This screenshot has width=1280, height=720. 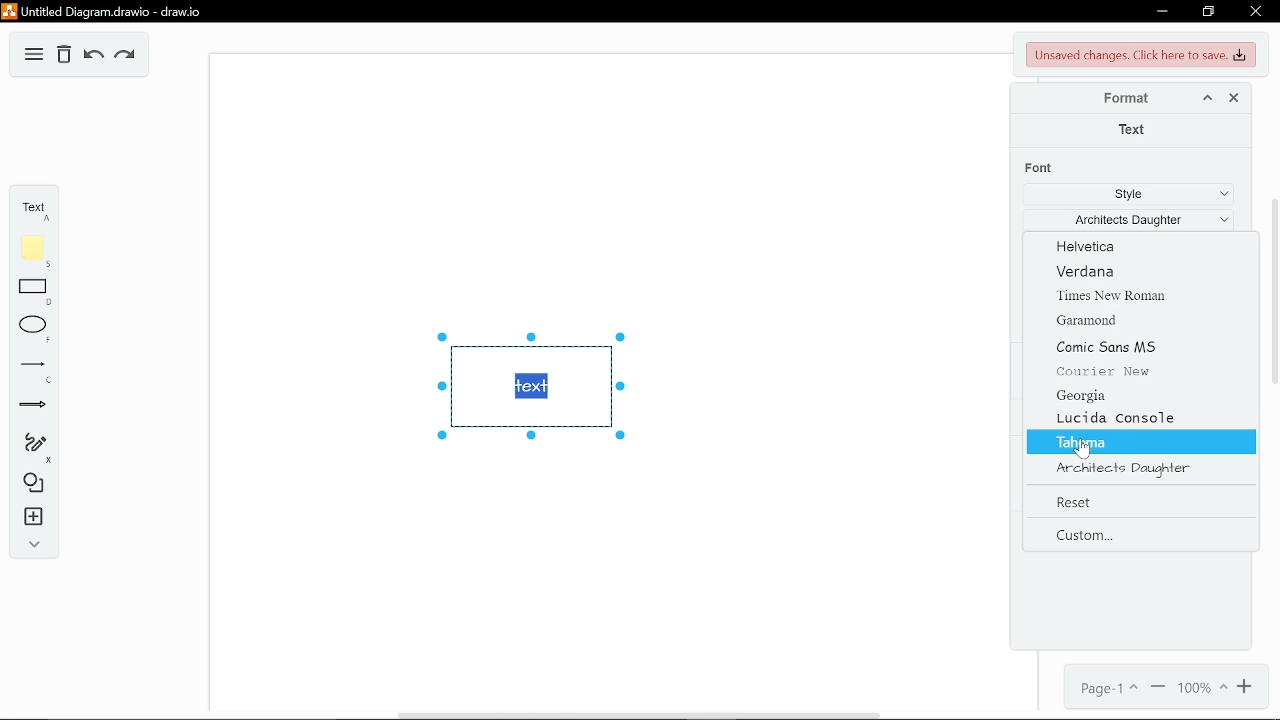 I want to click on shapes, so click(x=29, y=484).